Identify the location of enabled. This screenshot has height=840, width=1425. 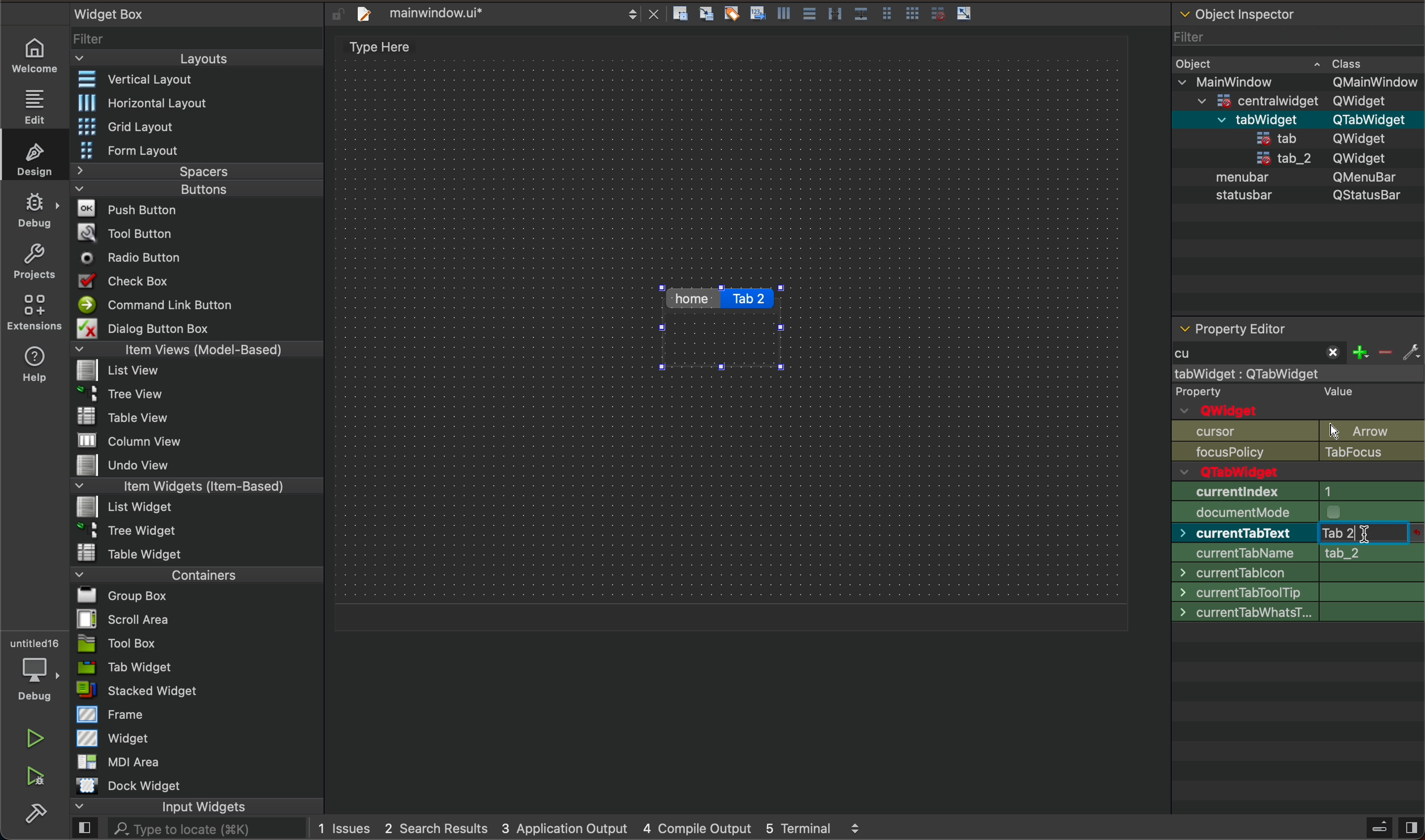
(1295, 470).